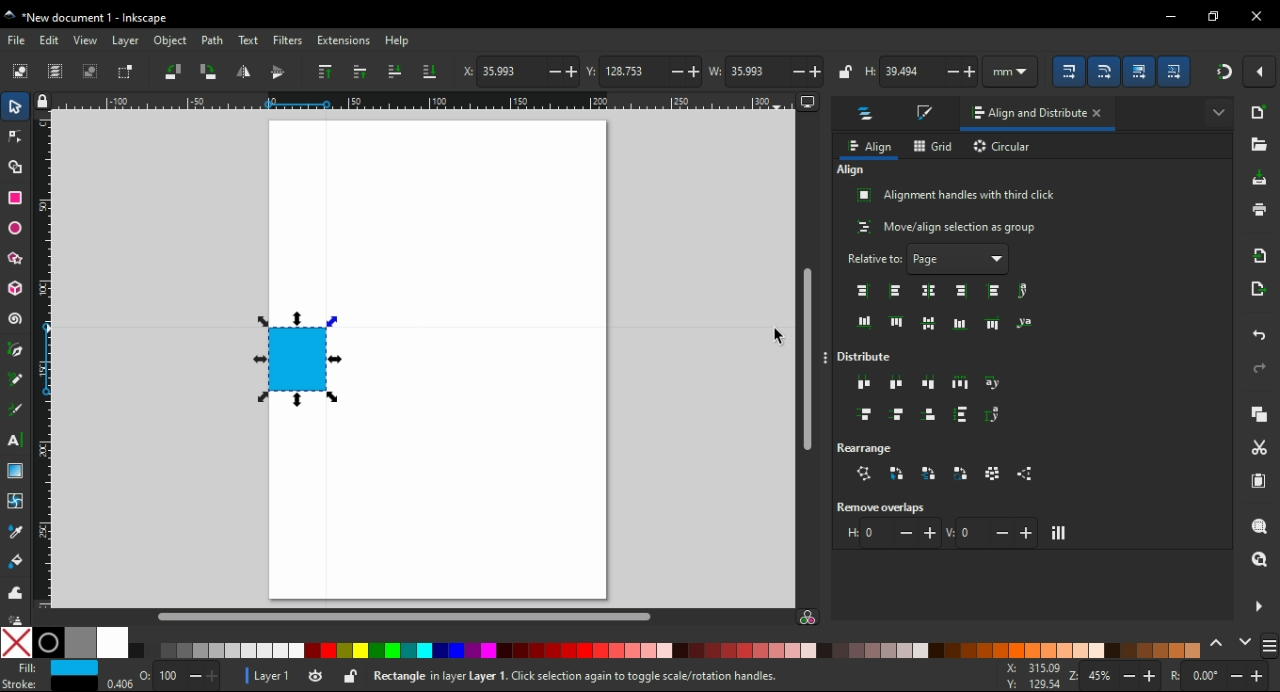 Image resolution: width=1280 pixels, height=692 pixels. What do you see at coordinates (1177, 72) in the screenshot?
I see `move patterns along with the objects` at bounding box center [1177, 72].